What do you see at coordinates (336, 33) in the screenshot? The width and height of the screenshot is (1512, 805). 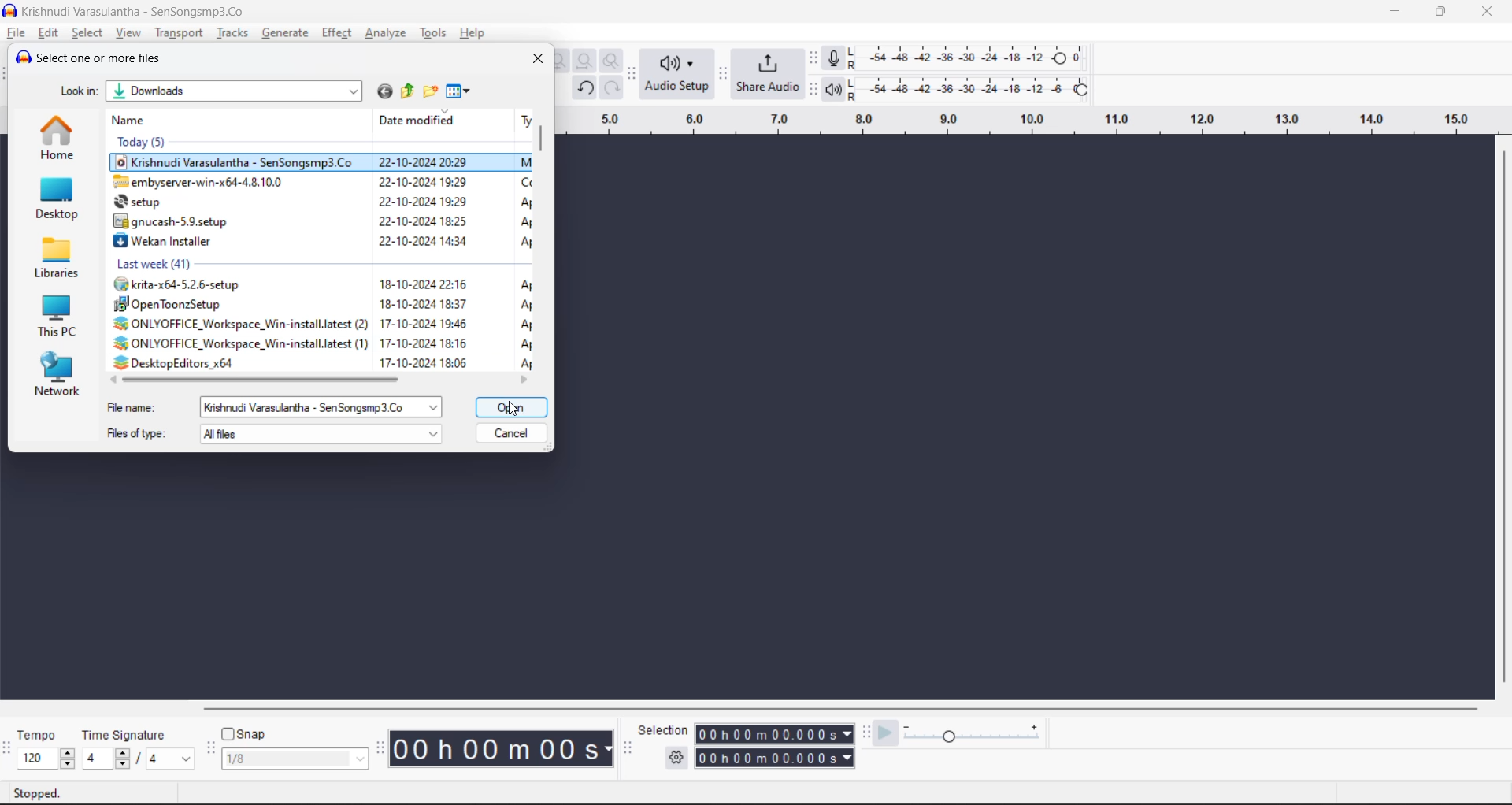 I see `effect` at bounding box center [336, 33].